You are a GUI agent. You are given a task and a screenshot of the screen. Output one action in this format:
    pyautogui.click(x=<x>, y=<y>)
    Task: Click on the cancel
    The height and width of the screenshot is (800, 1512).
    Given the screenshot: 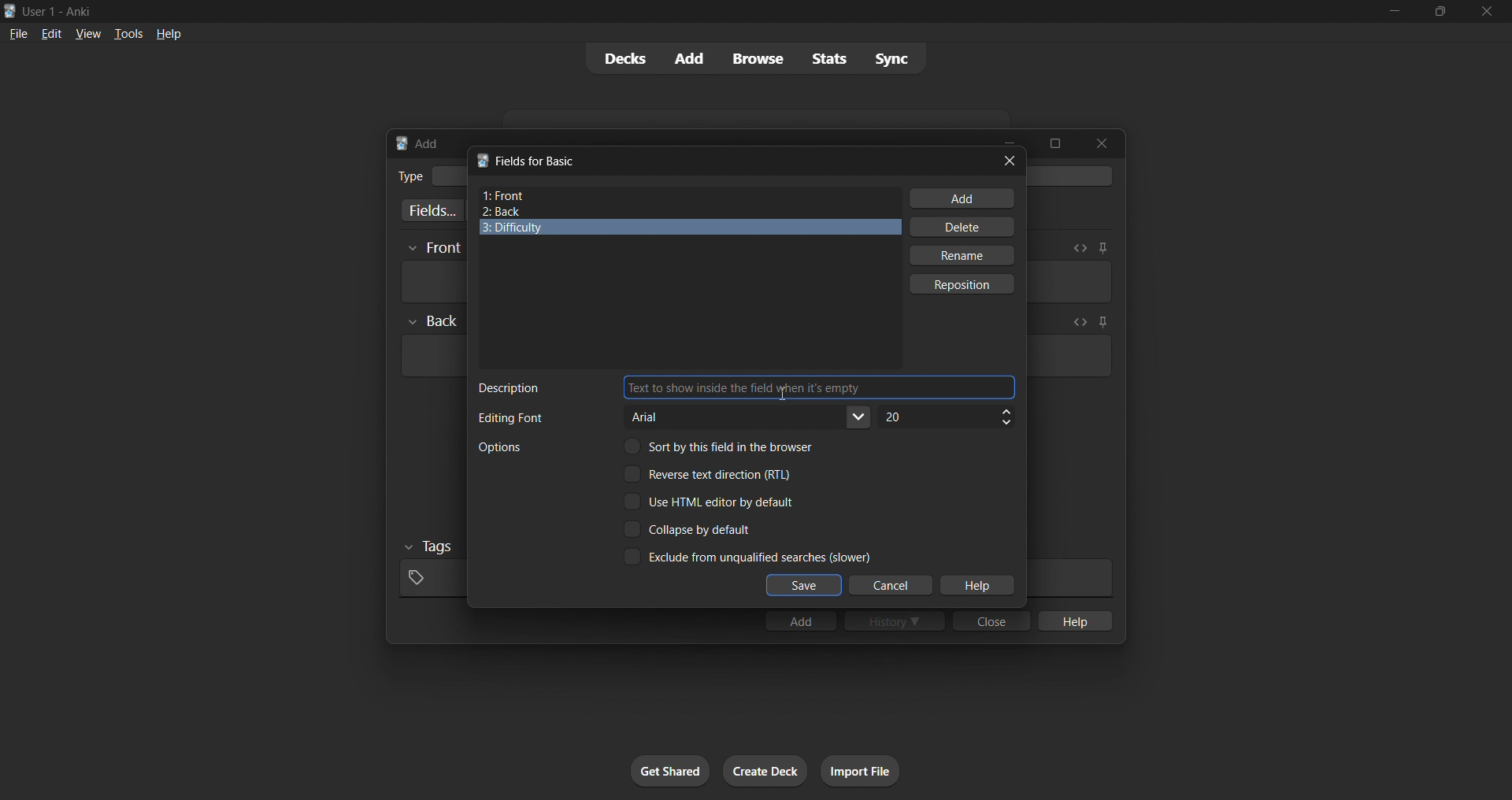 What is the action you would take?
    pyautogui.click(x=892, y=586)
    